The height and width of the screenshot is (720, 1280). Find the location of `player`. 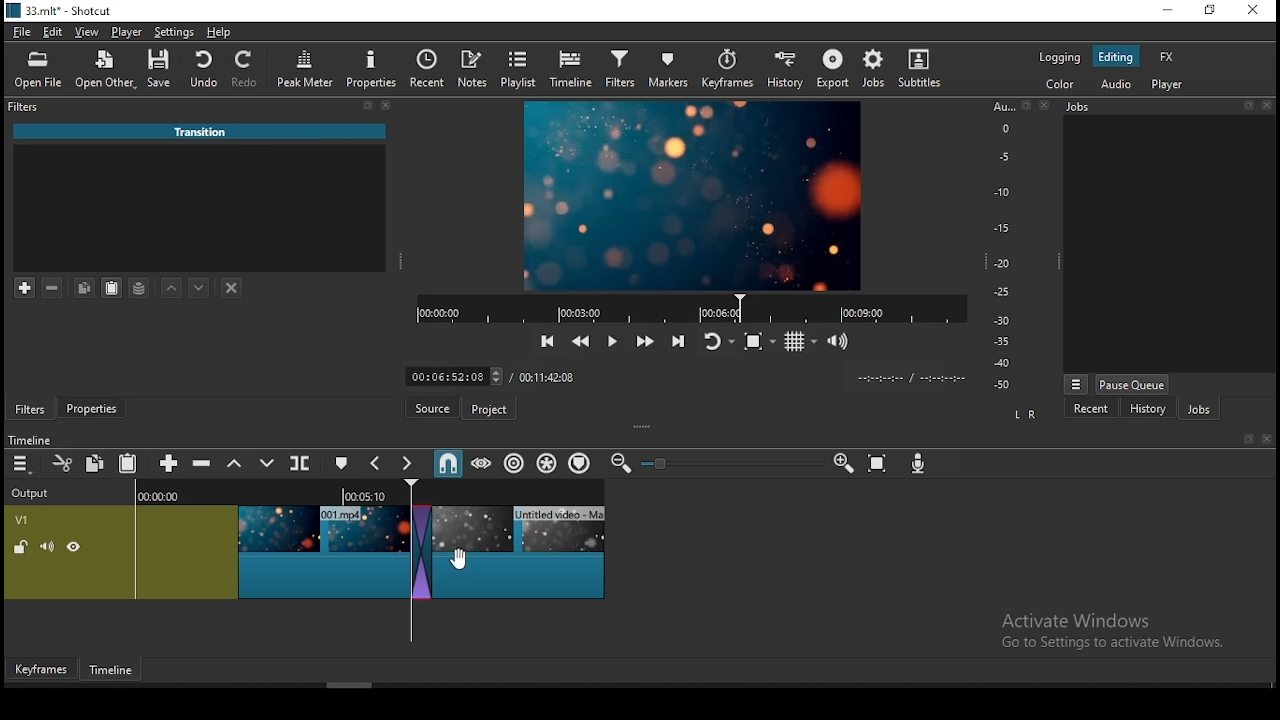

player is located at coordinates (1167, 86).